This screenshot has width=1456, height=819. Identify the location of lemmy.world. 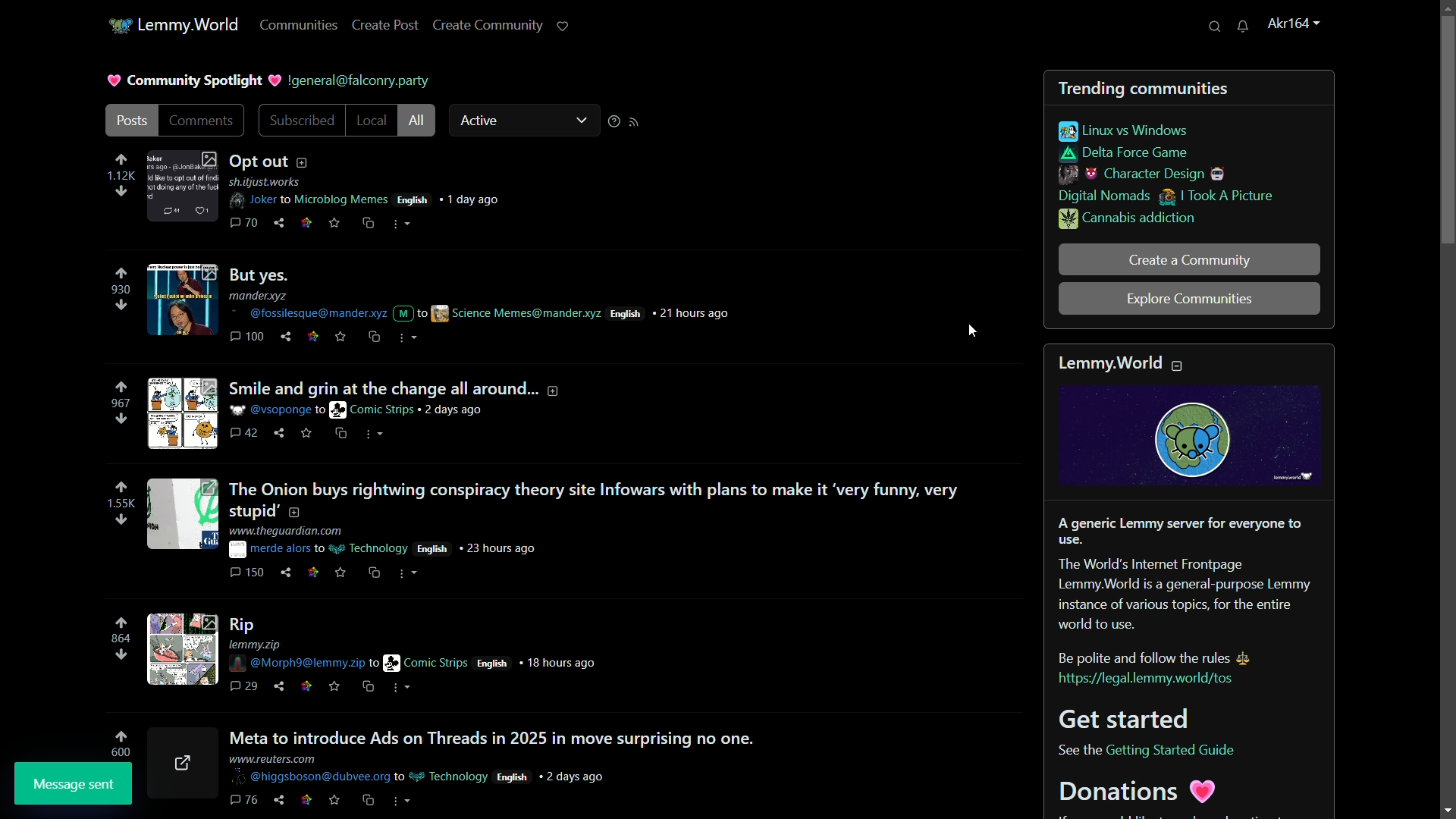
(188, 24).